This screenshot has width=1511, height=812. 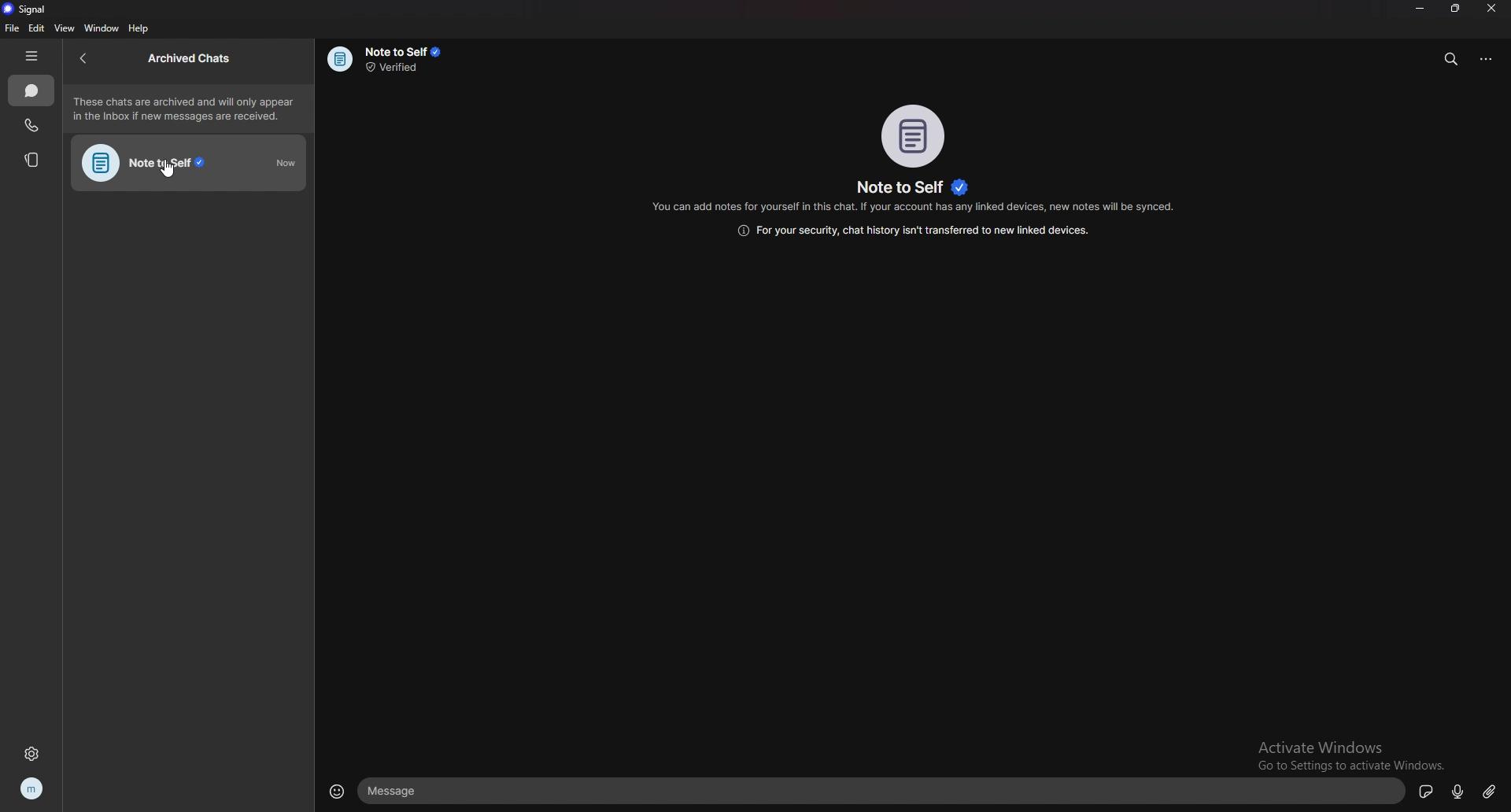 What do you see at coordinates (188, 164) in the screenshot?
I see `note to self` at bounding box center [188, 164].